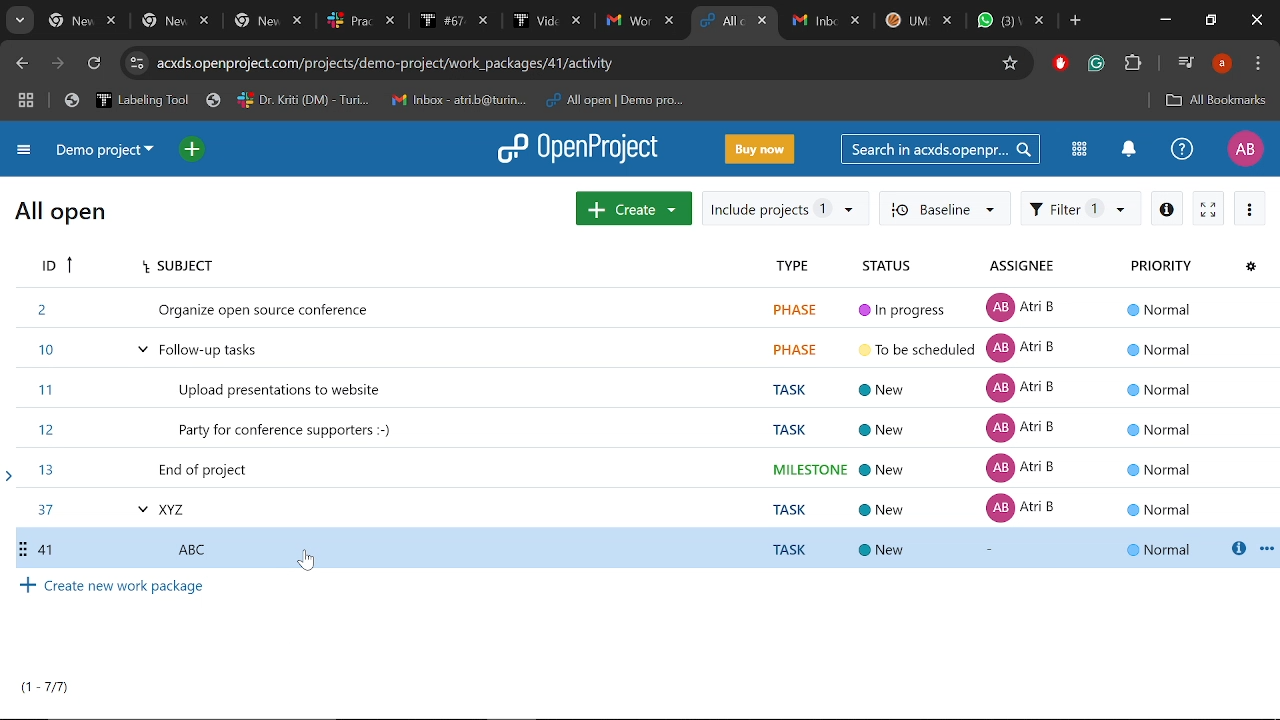 The image size is (1280, 720). Describe the element at coordinates (26, 102) in the screenshot. I see `Tab groups` at that location.